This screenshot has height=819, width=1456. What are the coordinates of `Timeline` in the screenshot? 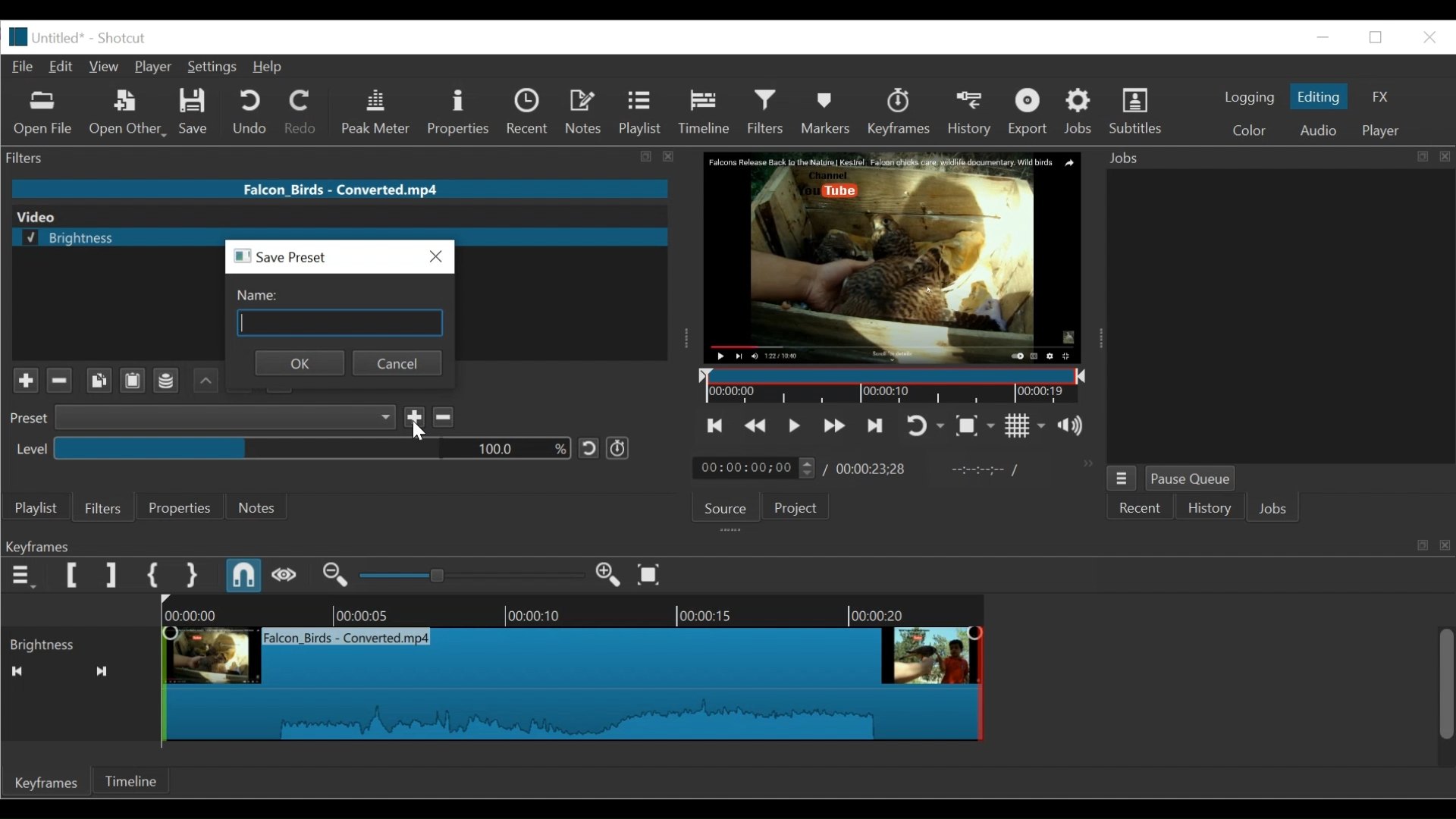 It's located at (889, 384).